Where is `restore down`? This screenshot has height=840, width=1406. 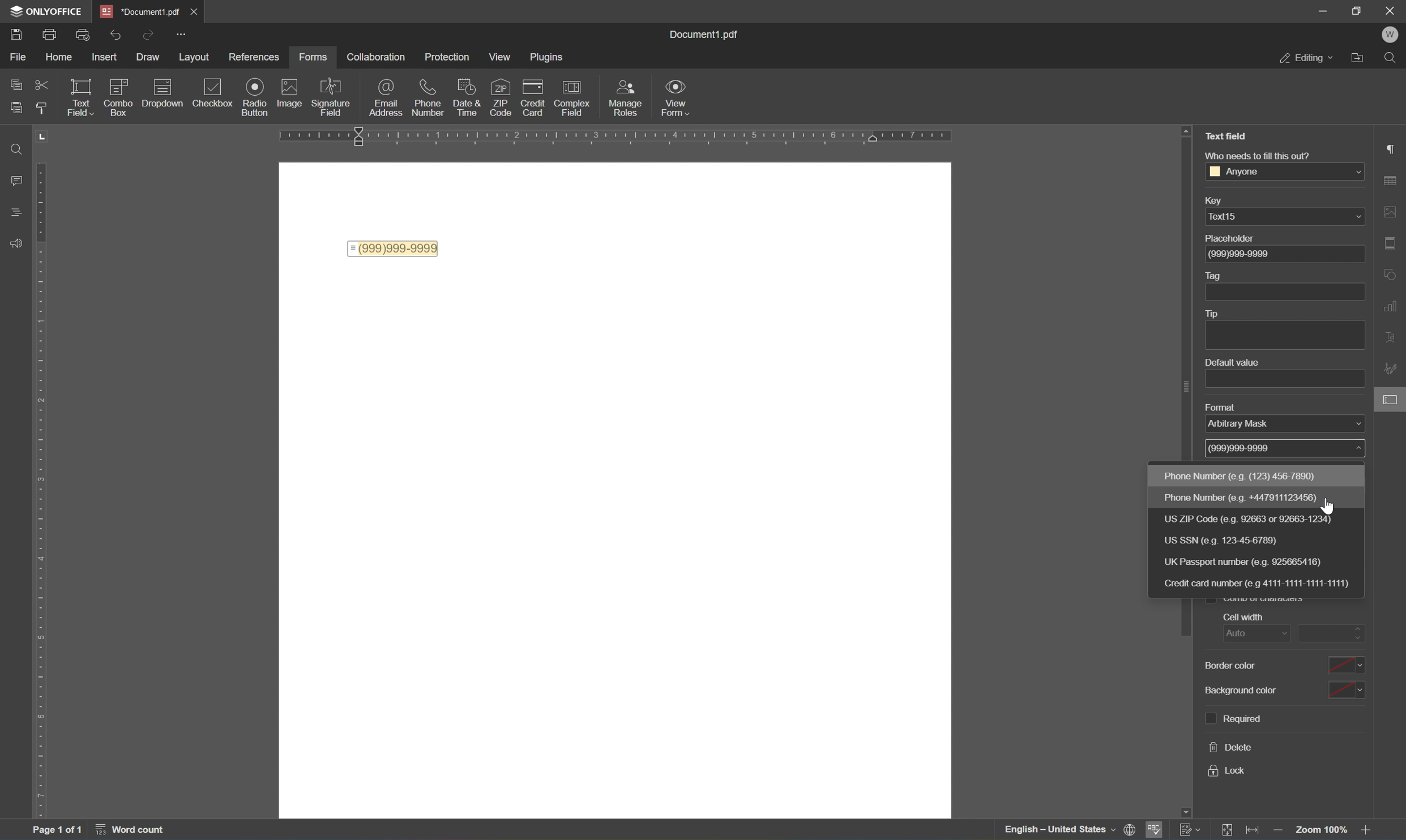
restore down is located at coordinates (1357, 9).